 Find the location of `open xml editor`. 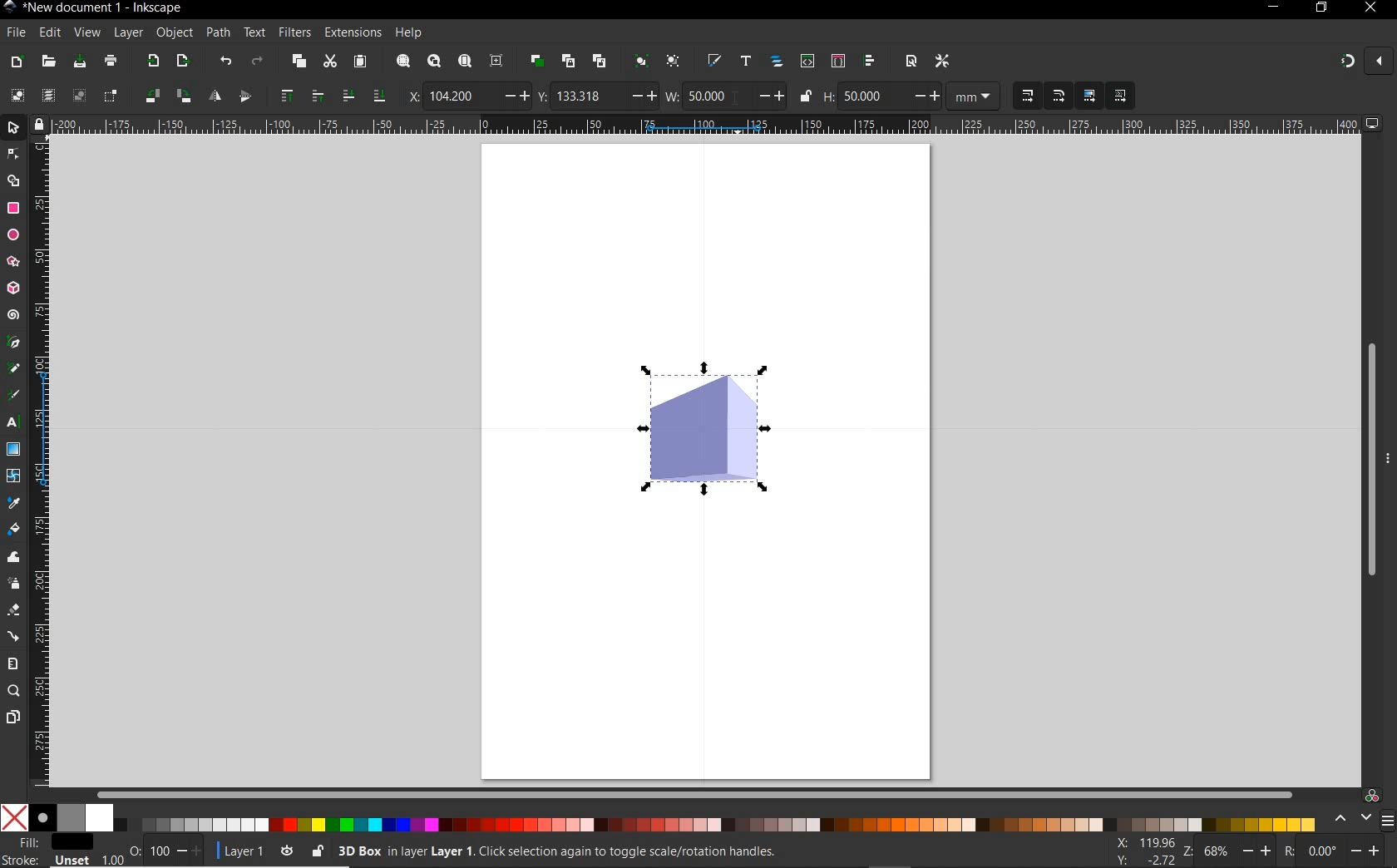

open xml editor is located at coordinates (807, 61).